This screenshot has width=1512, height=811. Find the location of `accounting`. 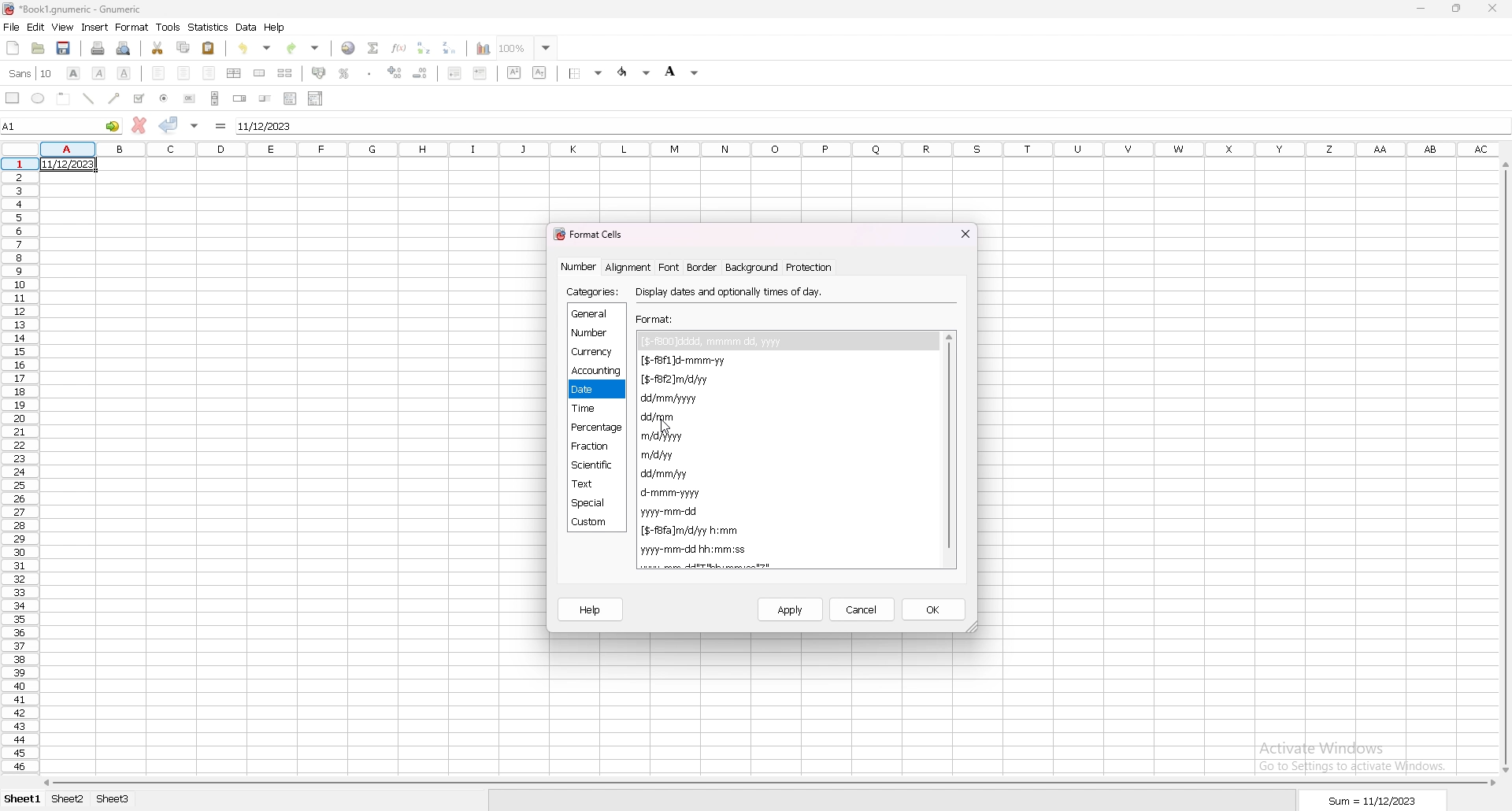

accounting is located at coordinates (597, 371).